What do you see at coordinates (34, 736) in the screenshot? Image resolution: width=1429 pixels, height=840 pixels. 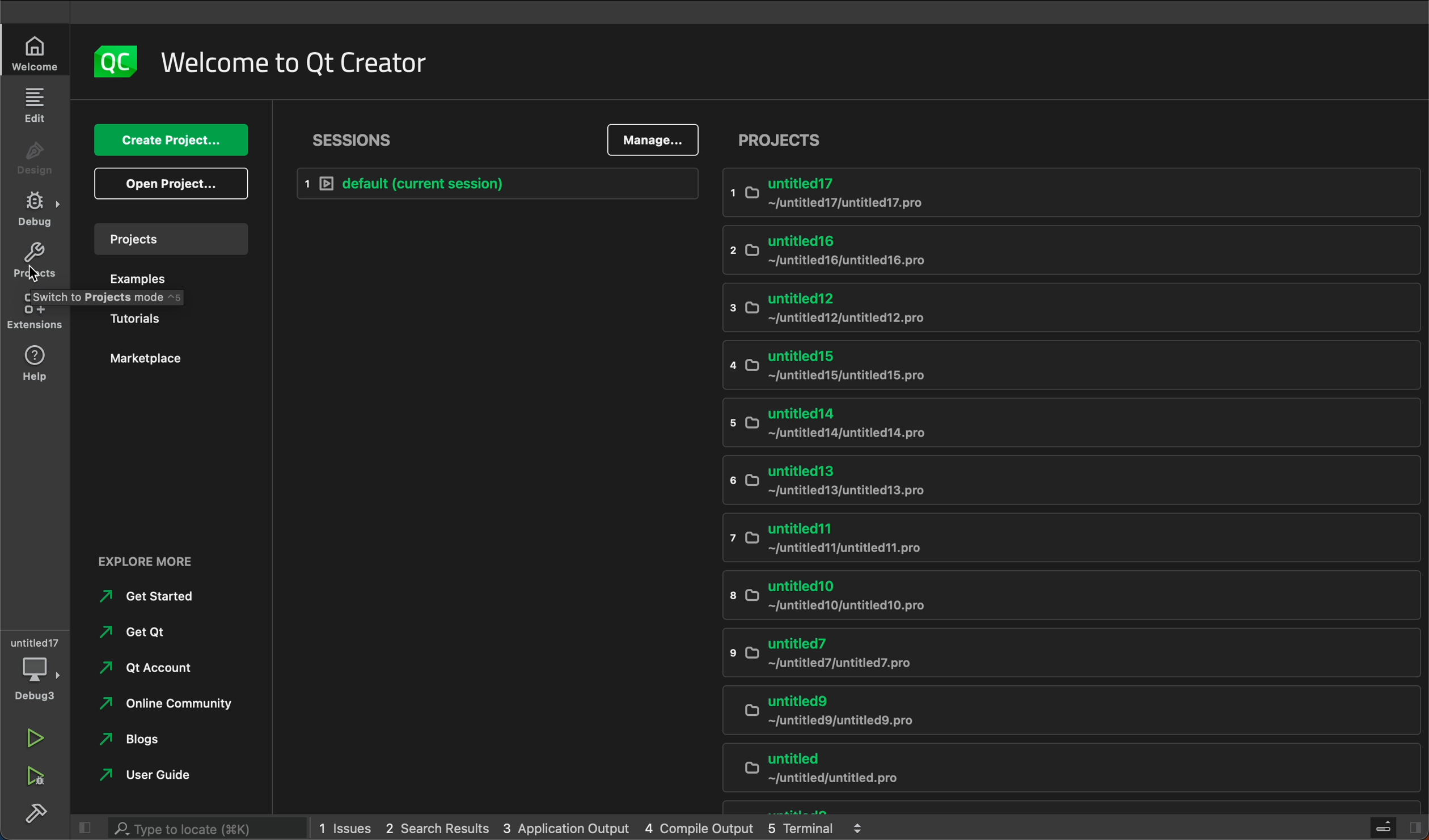 I see `run` at bounding box center [34, 736].